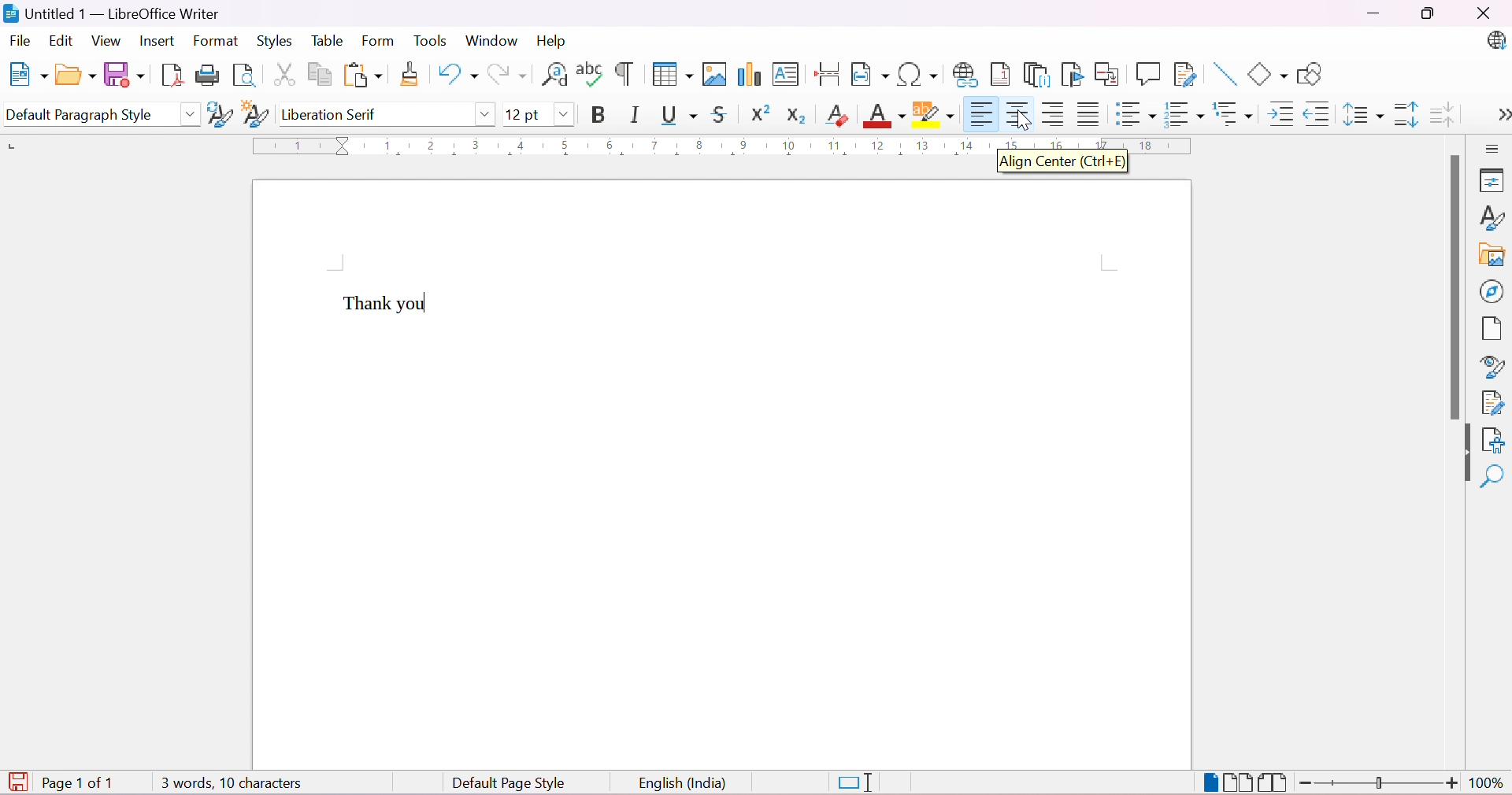 The image size is (1512, 795). Describe the element at coordinates (747, 74) in the screenshot. I see `Insert Chart` at that location.